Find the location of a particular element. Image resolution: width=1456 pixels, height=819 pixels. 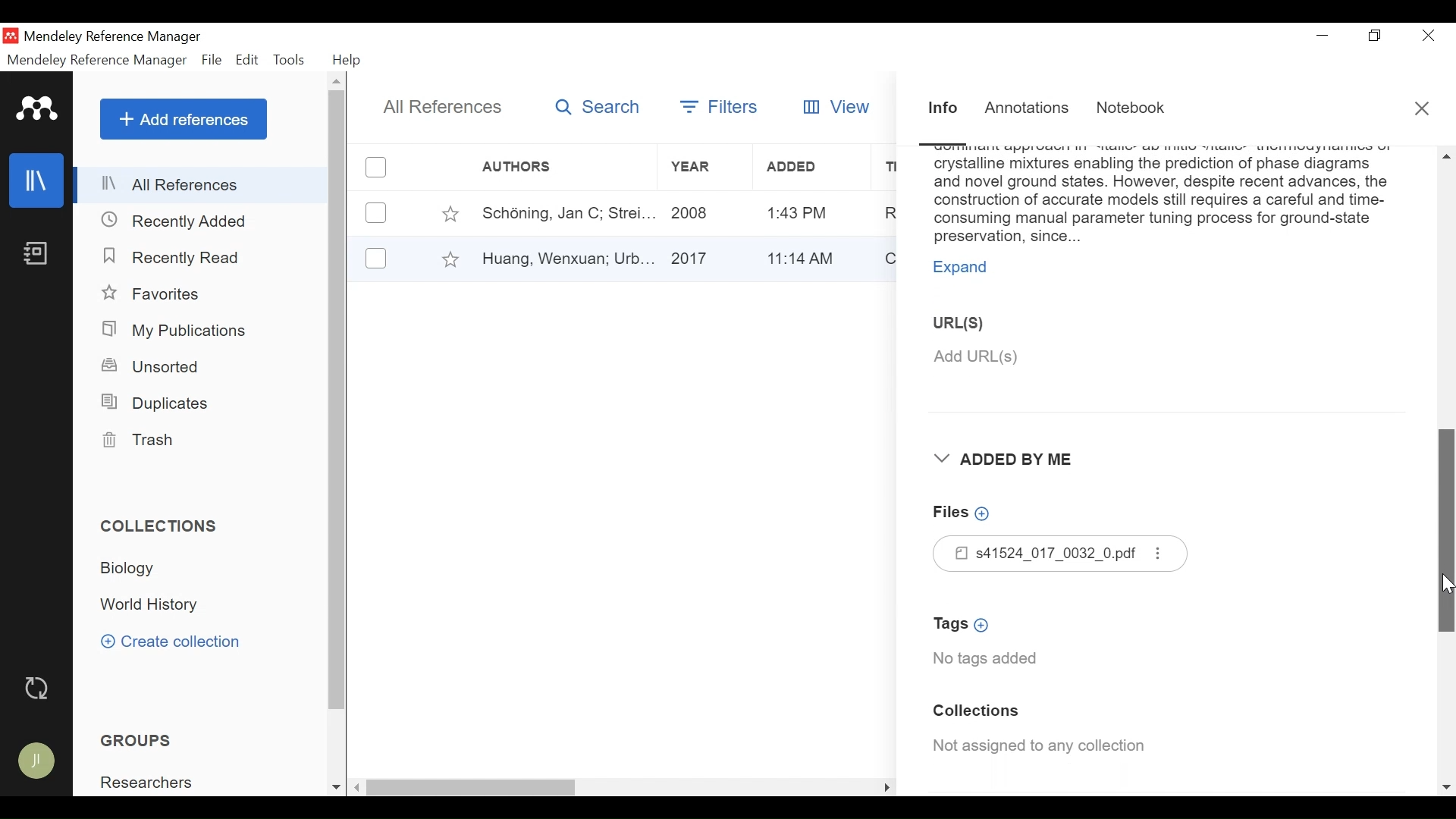

Sync is located at coordinates (39, 690).